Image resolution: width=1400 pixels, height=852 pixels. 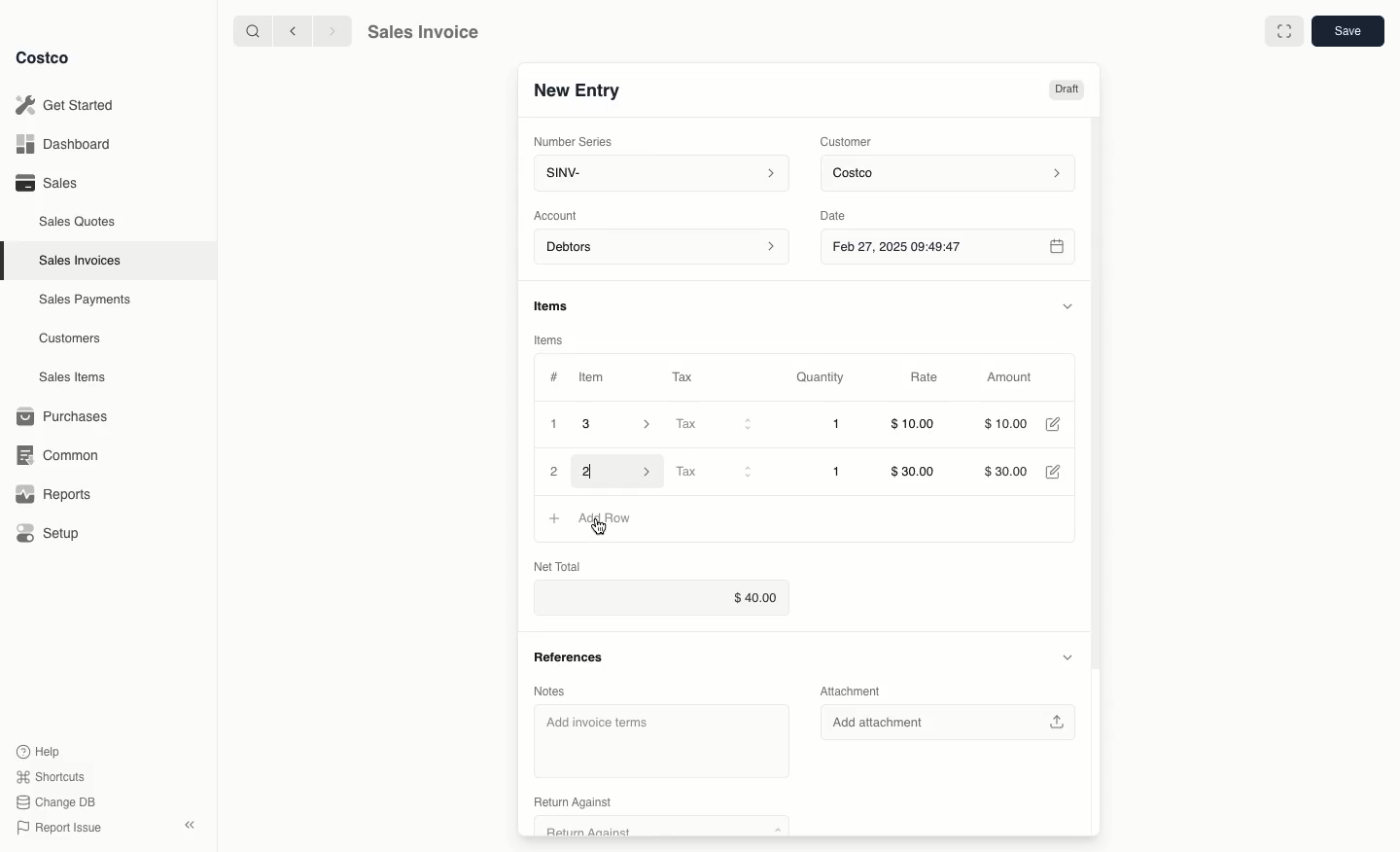 I want to click on 1, so click(x=838, y=426).